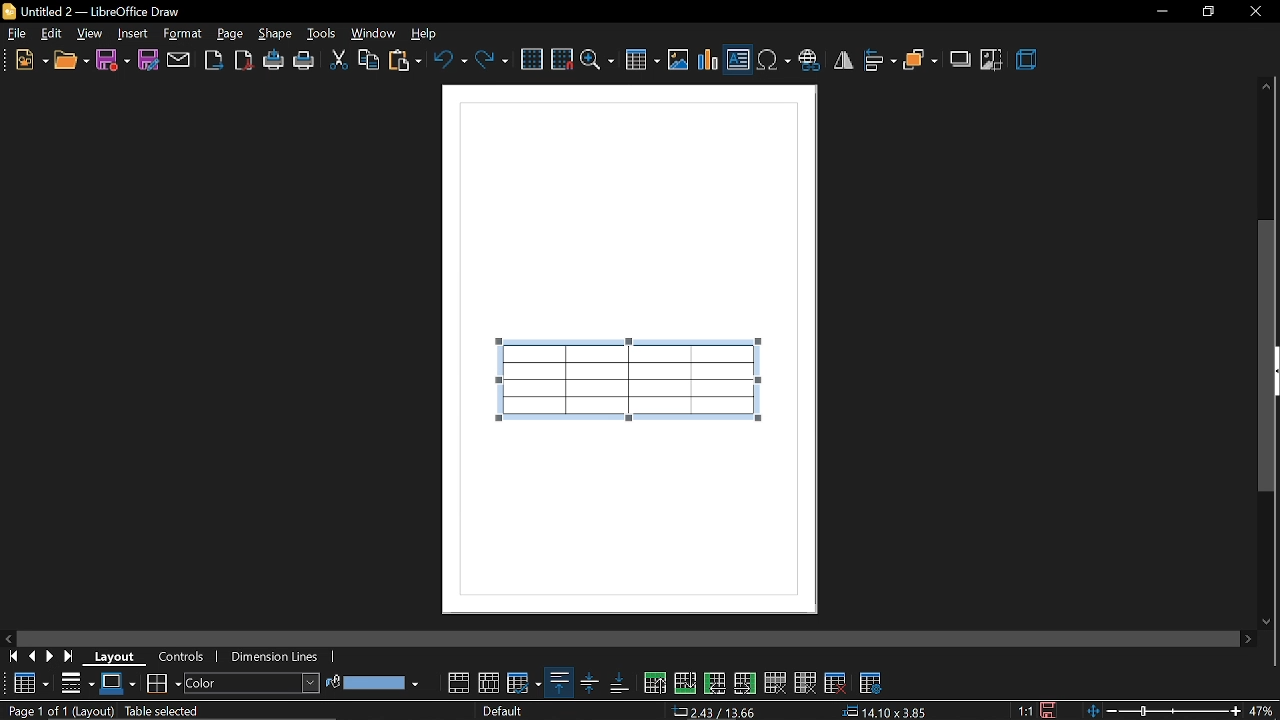  What do you see at coordinates (718, 712) in the screenshot?
I see `2.43/13.66` at bounding box center [718, 712].